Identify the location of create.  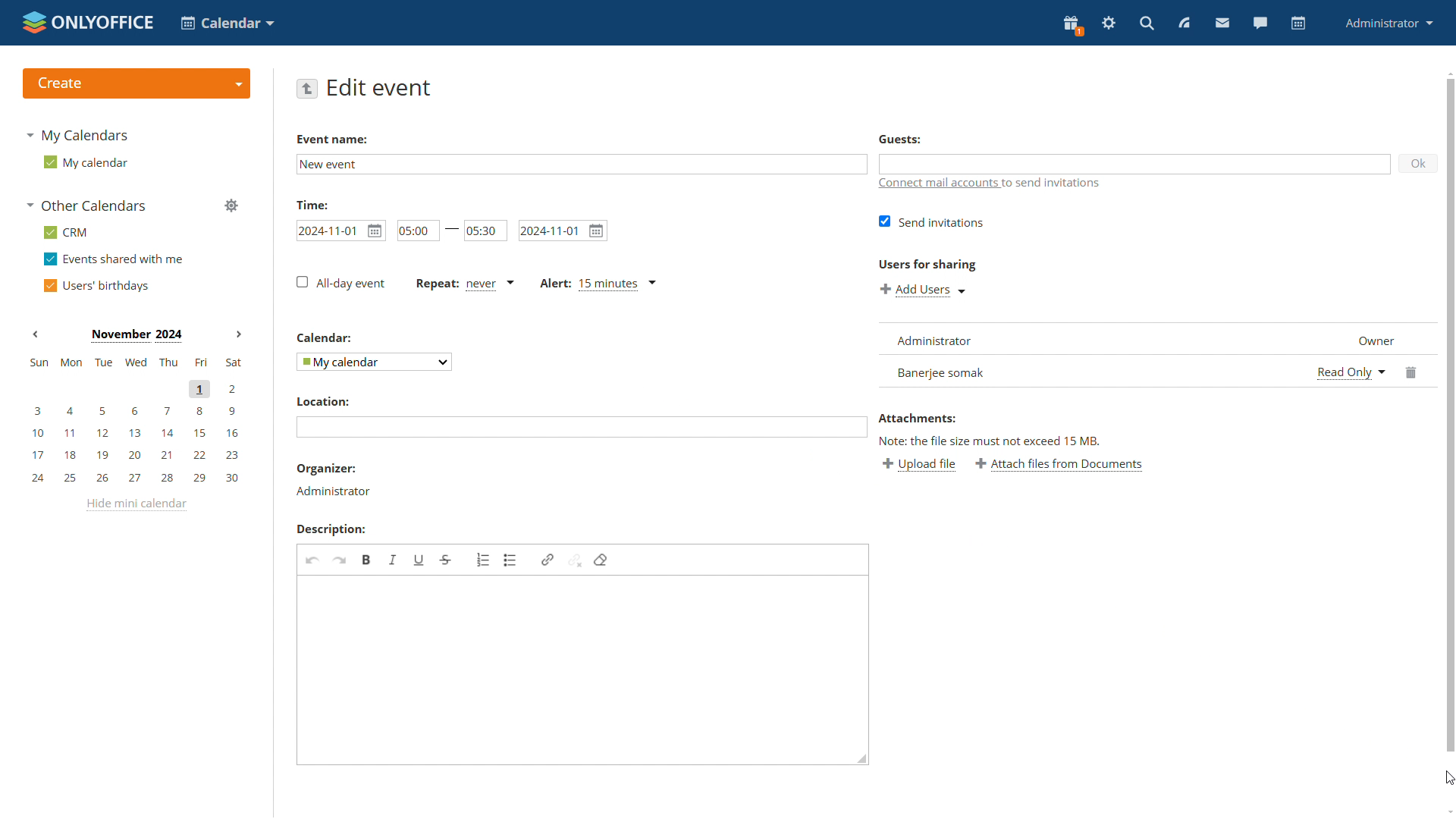
(136, 83).